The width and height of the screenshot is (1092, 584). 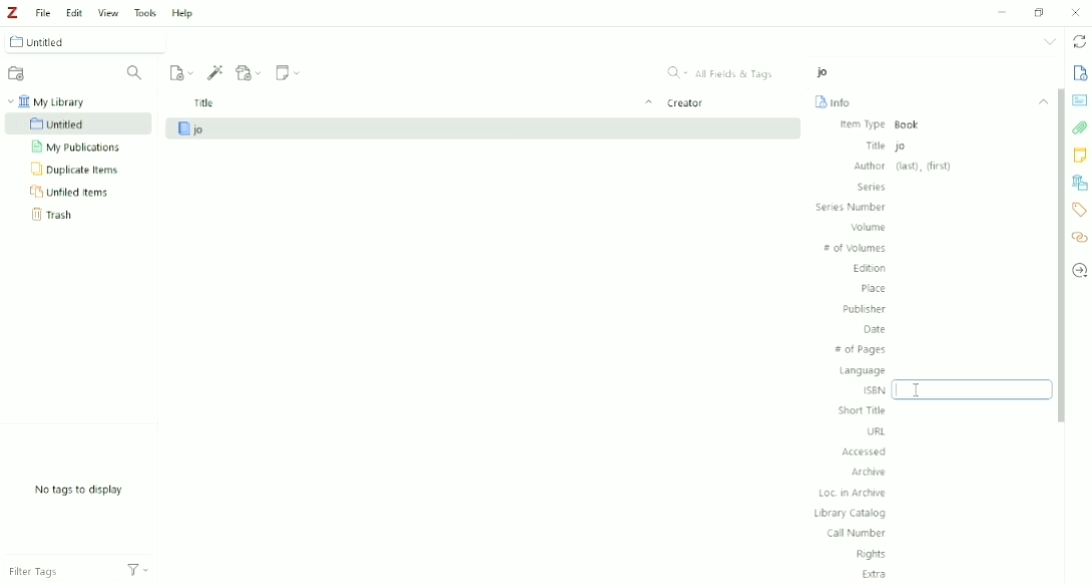 I want to click on Filter Tags, so click(x=77, y=571).